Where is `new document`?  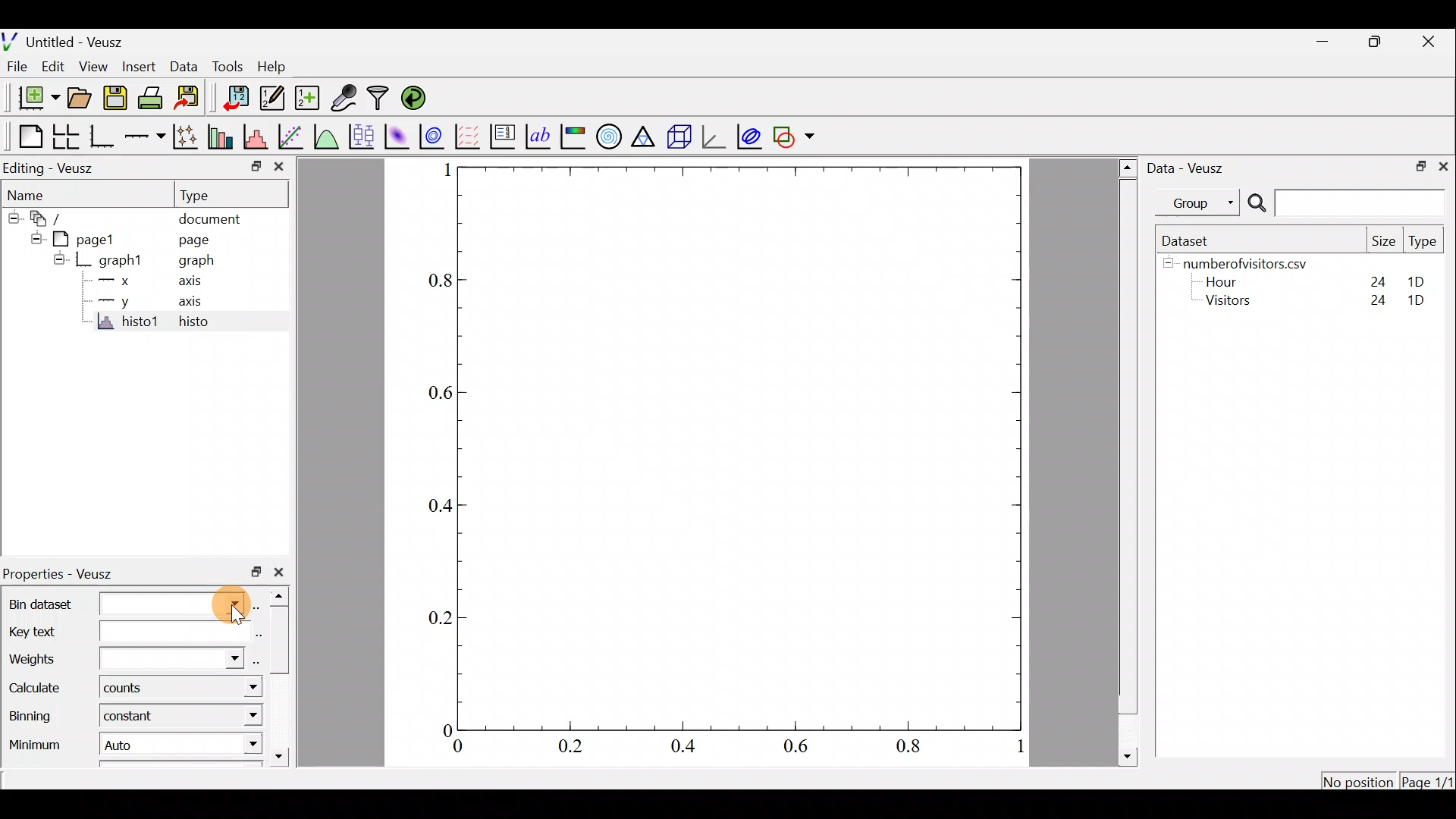
new document is located at coordinates (35, 99).